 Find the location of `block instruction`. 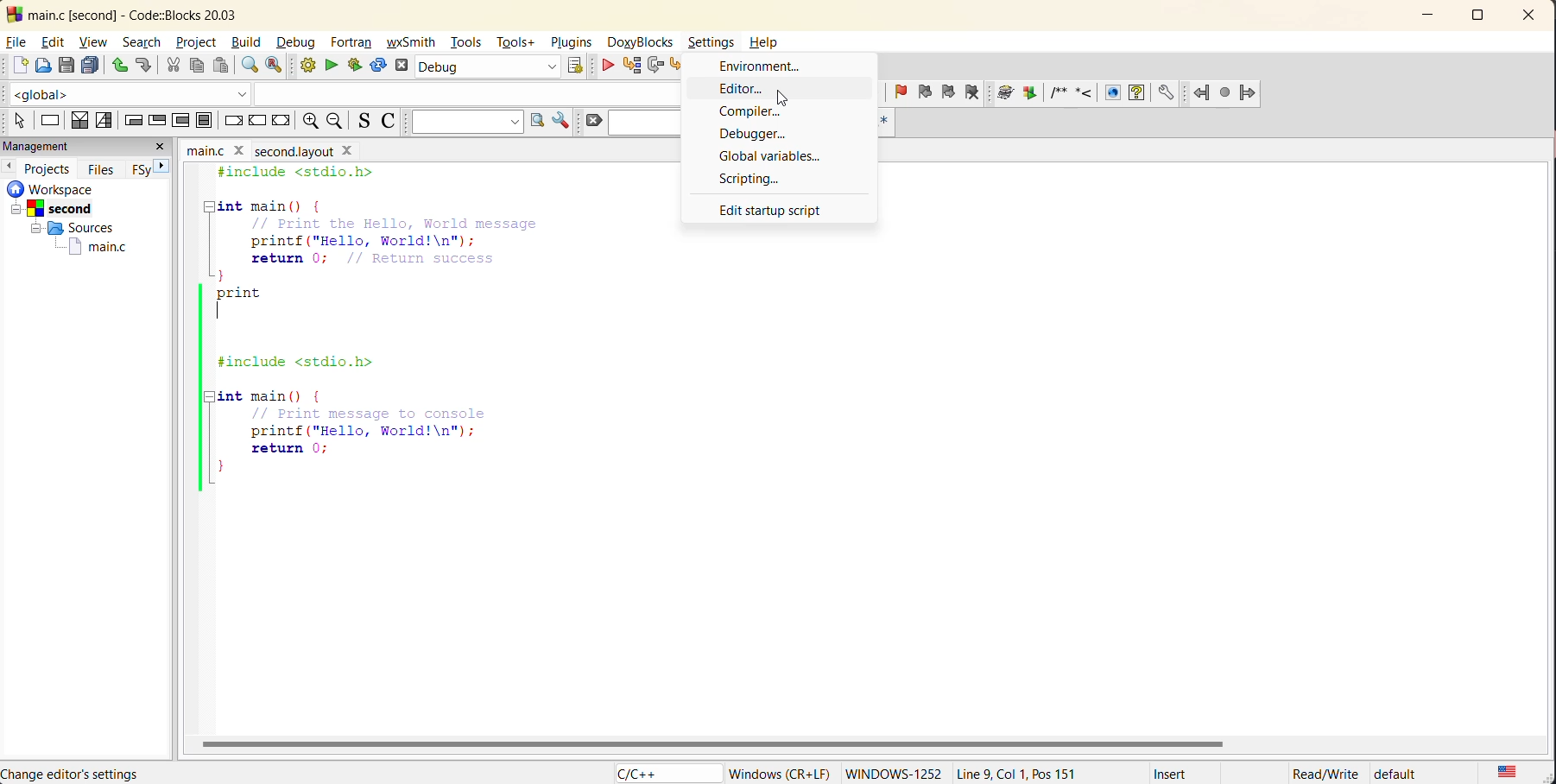

block instruction is located at coordinates (206, 121).